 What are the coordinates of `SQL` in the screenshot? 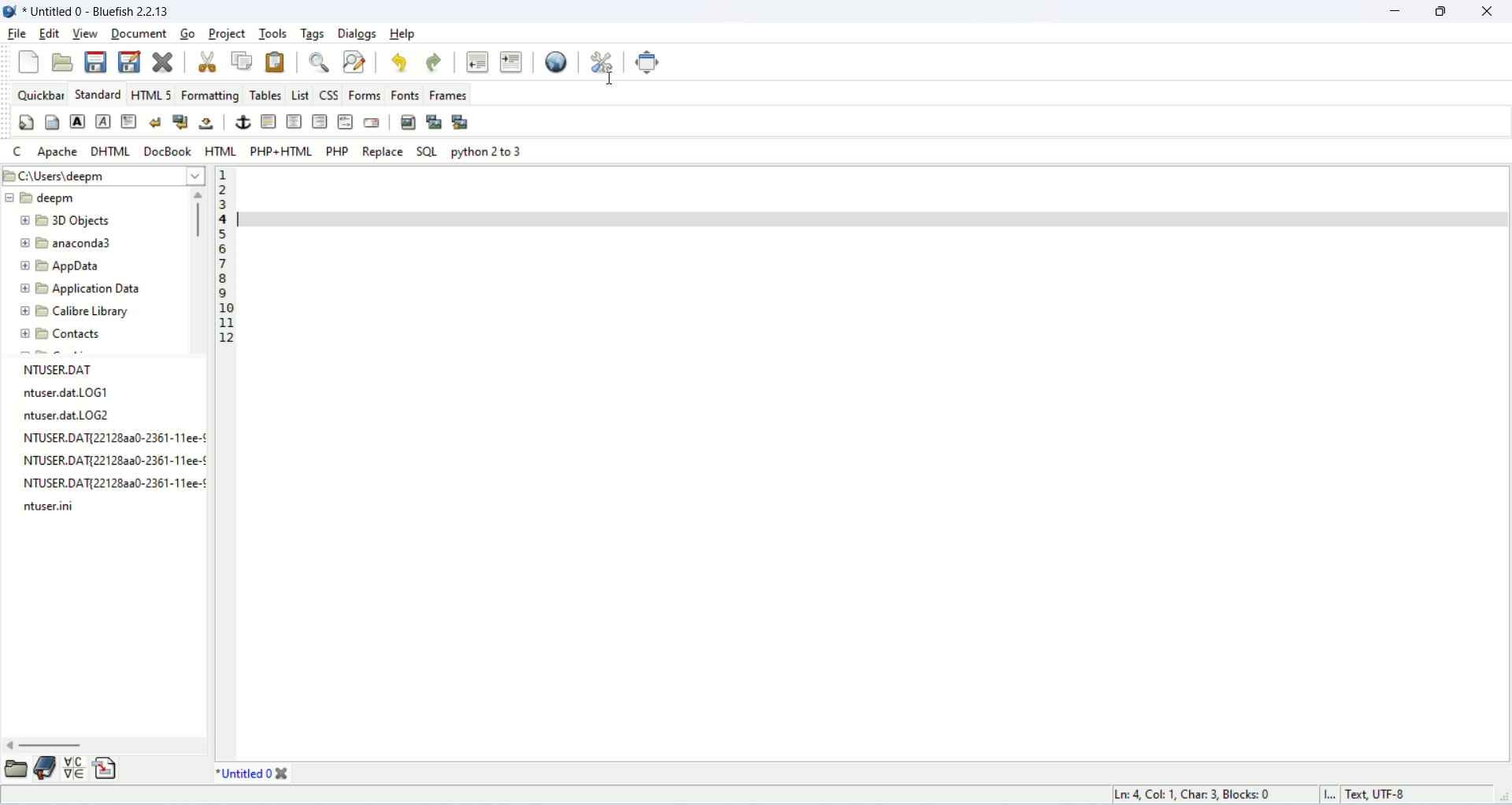 It's located at (427, 151).